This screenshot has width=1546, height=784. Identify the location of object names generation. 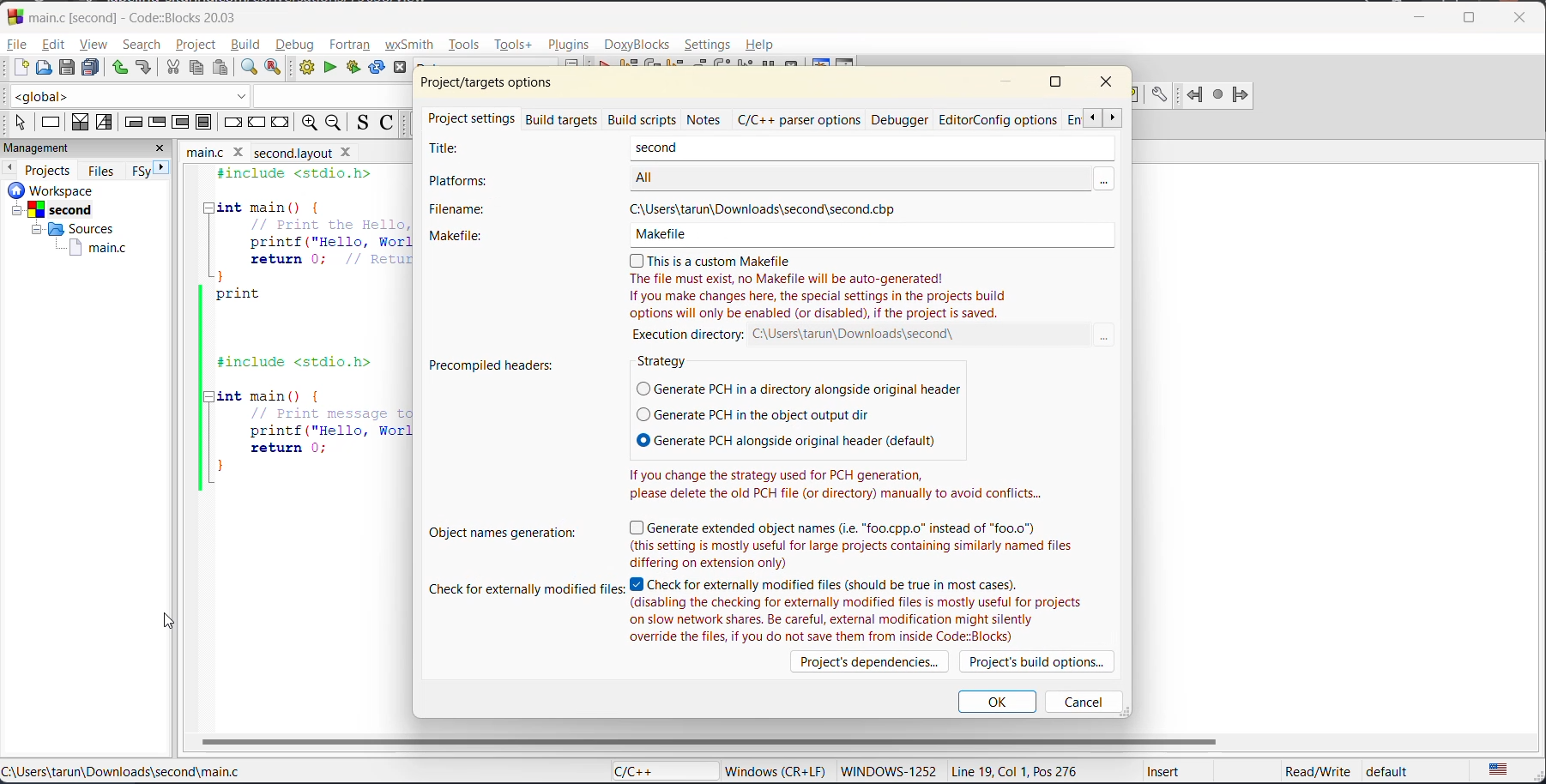
(504, 532).